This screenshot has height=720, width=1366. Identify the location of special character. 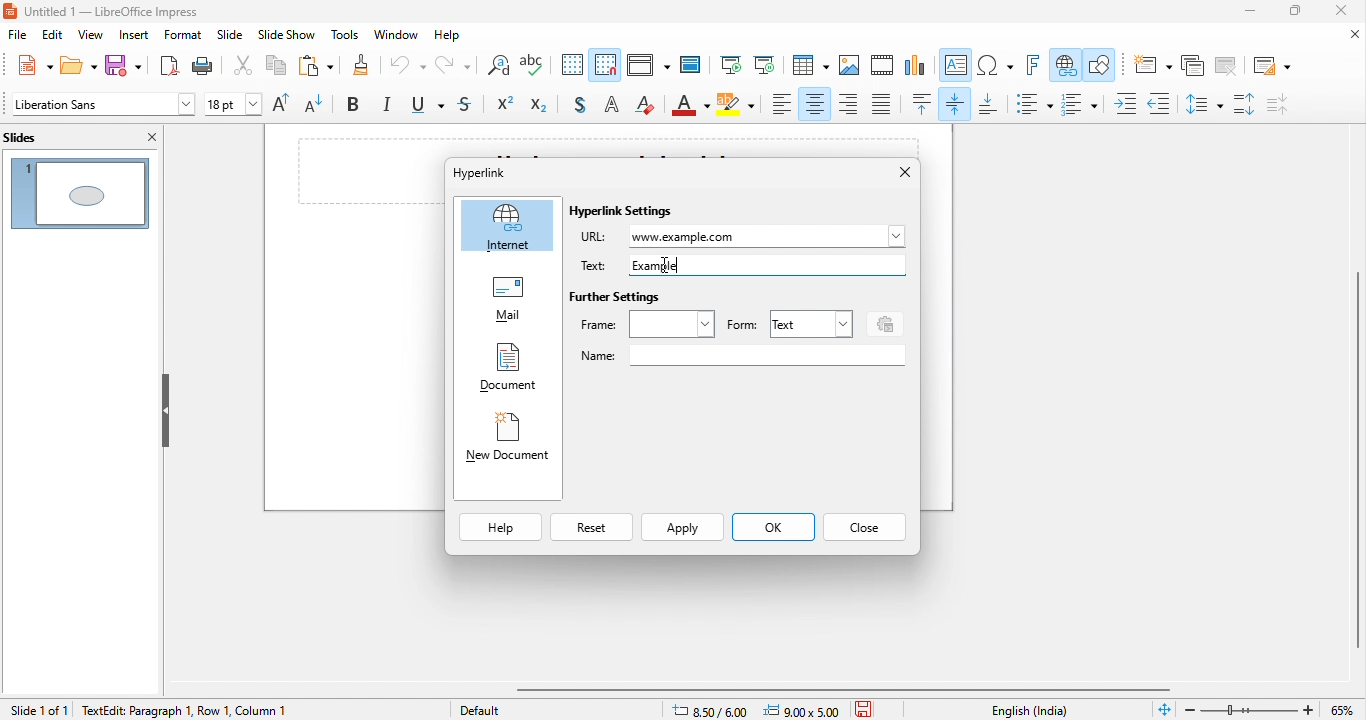
(996, 66).